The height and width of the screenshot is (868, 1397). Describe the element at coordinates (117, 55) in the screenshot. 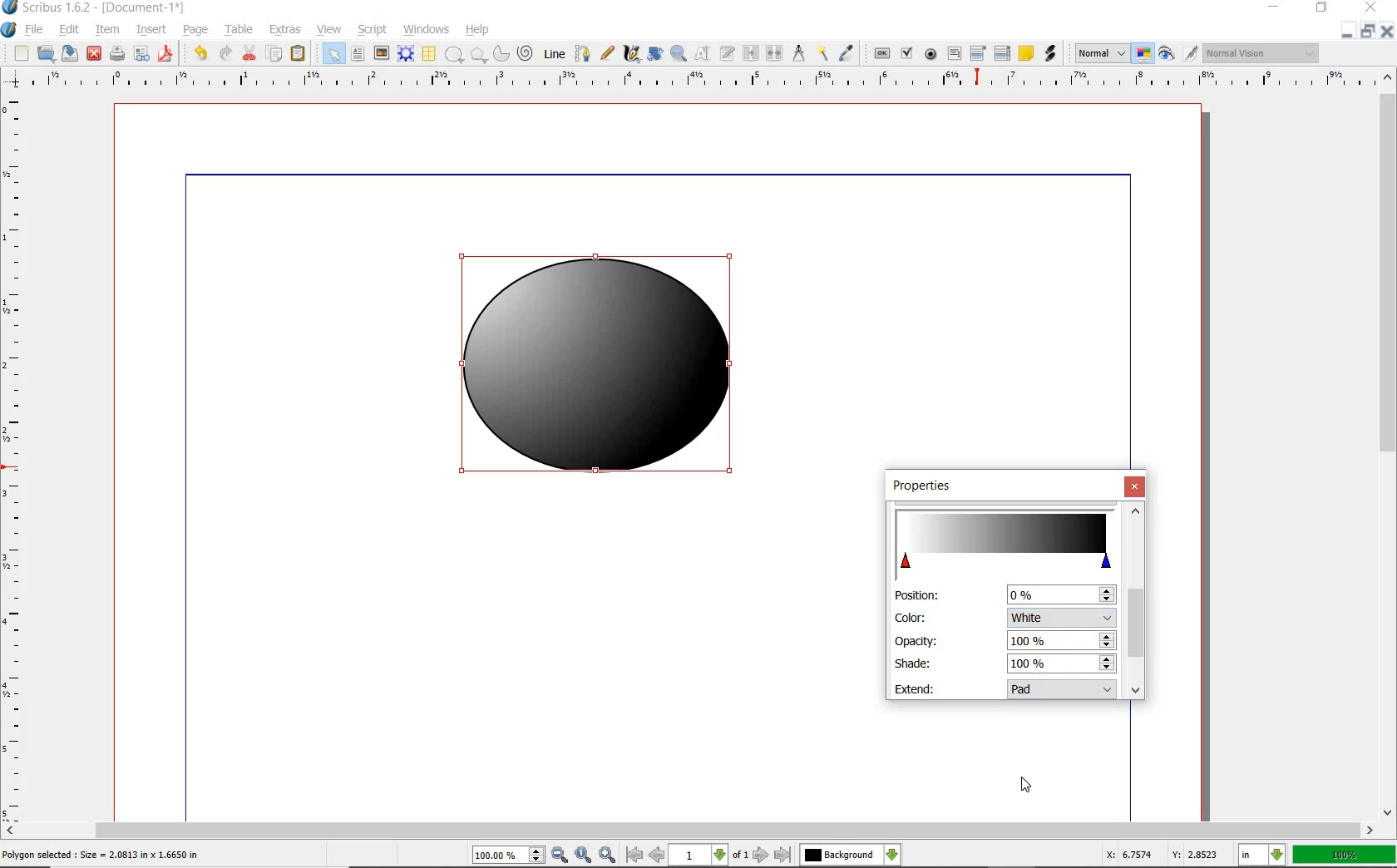

I see `PRINT` at that location.